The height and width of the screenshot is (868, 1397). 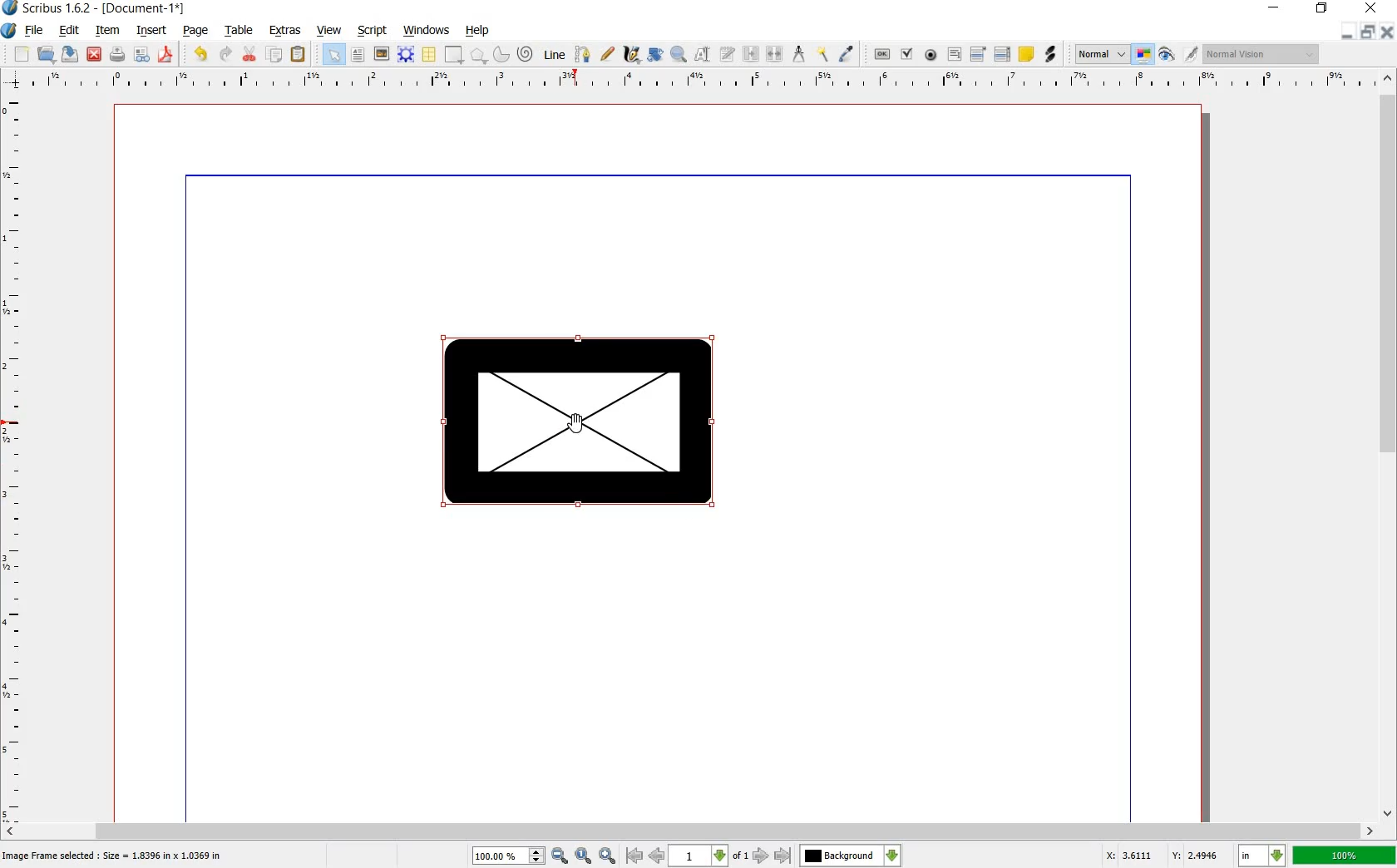 I want to click on coordinate y:2.4133, so click(x=1199, y=854).